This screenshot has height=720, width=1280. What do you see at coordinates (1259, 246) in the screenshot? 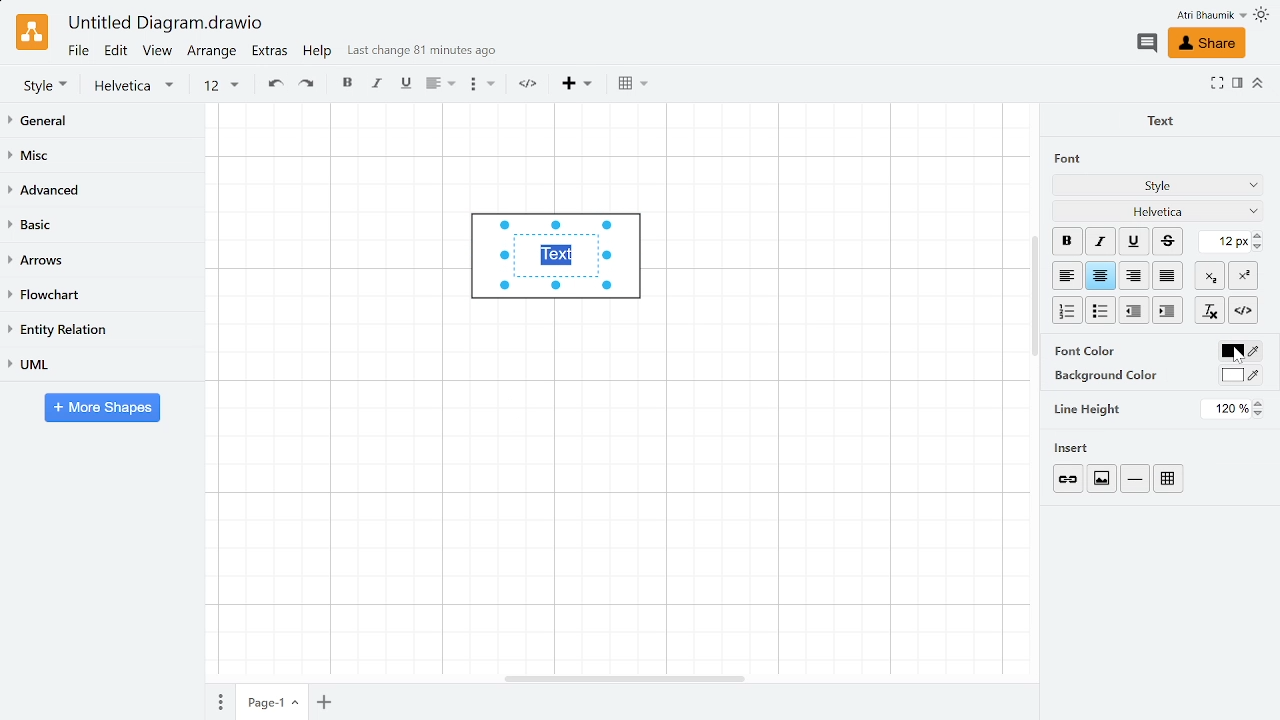
I see `Decrease font size` at bounding box center [1259, 246].